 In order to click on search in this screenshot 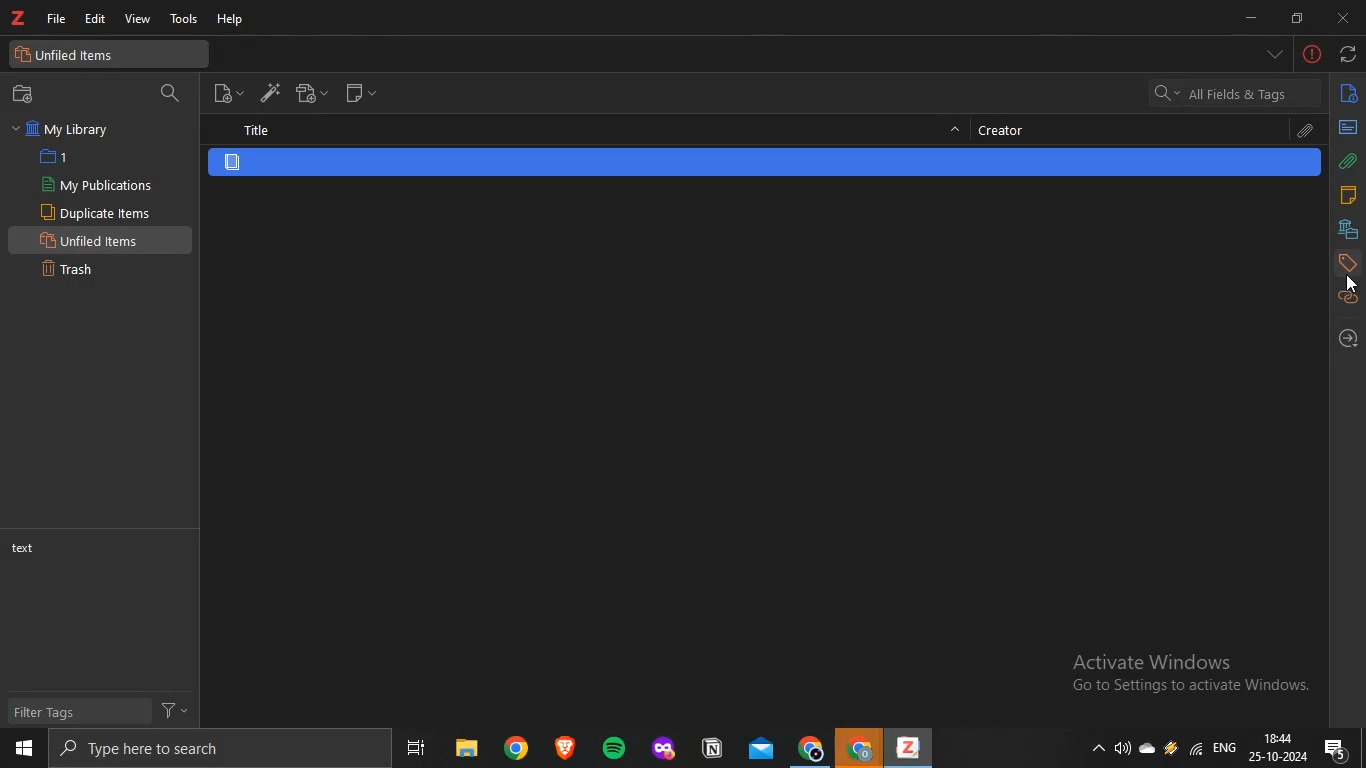, I will do `click(170, 93)`.